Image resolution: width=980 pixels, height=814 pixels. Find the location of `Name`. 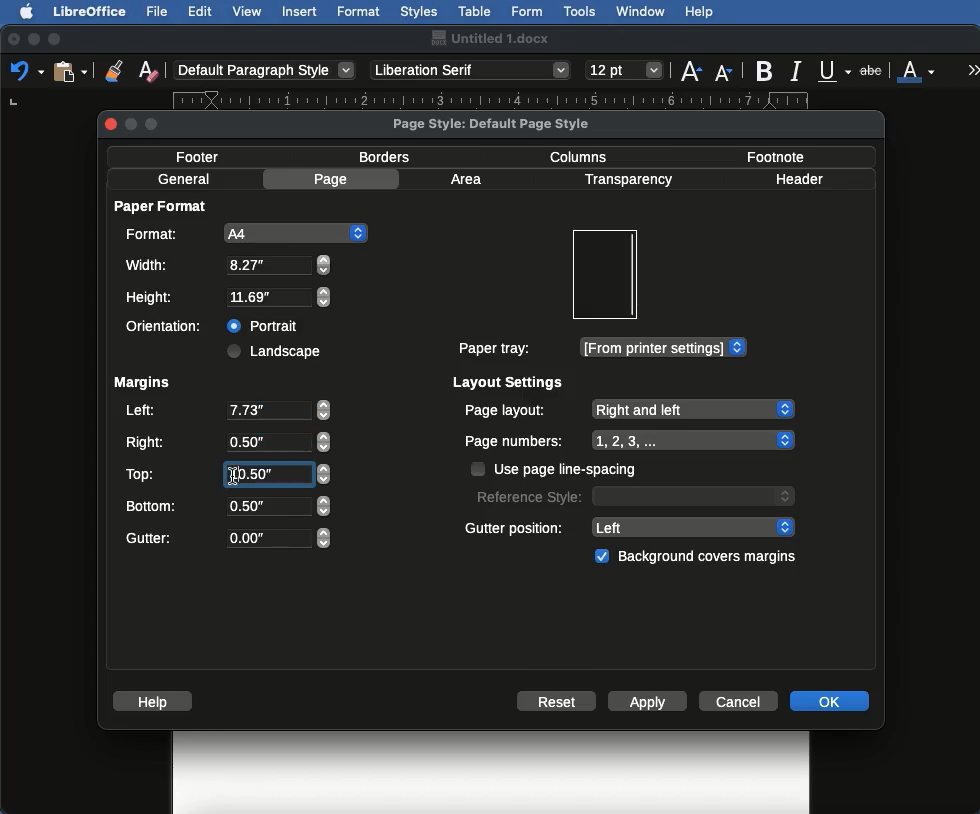

Name is located at coordinates (489, 38).